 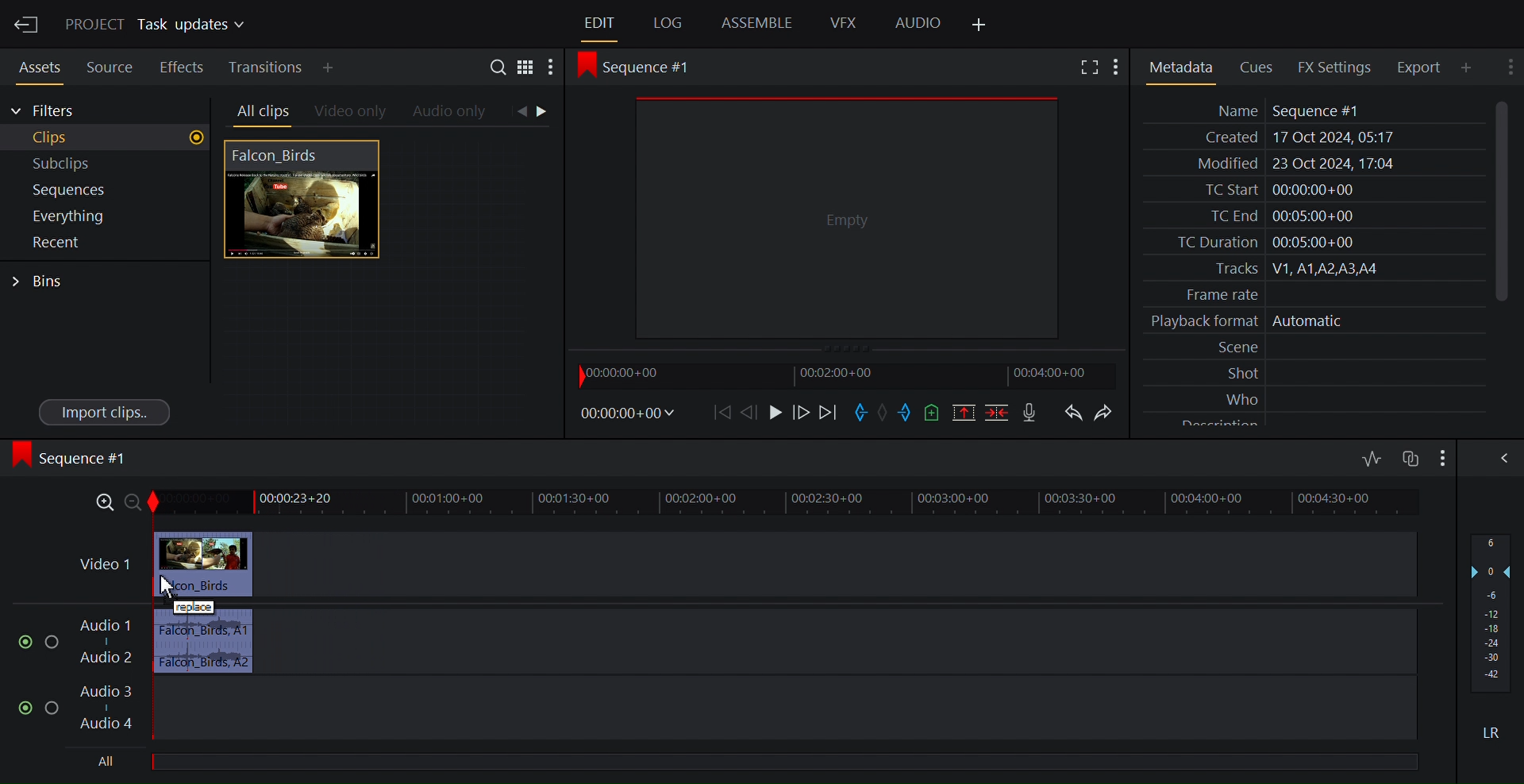 What do you see at coordinates (775, 413) in the screenshot?
I see `Play` at bounding box center [775, 413].